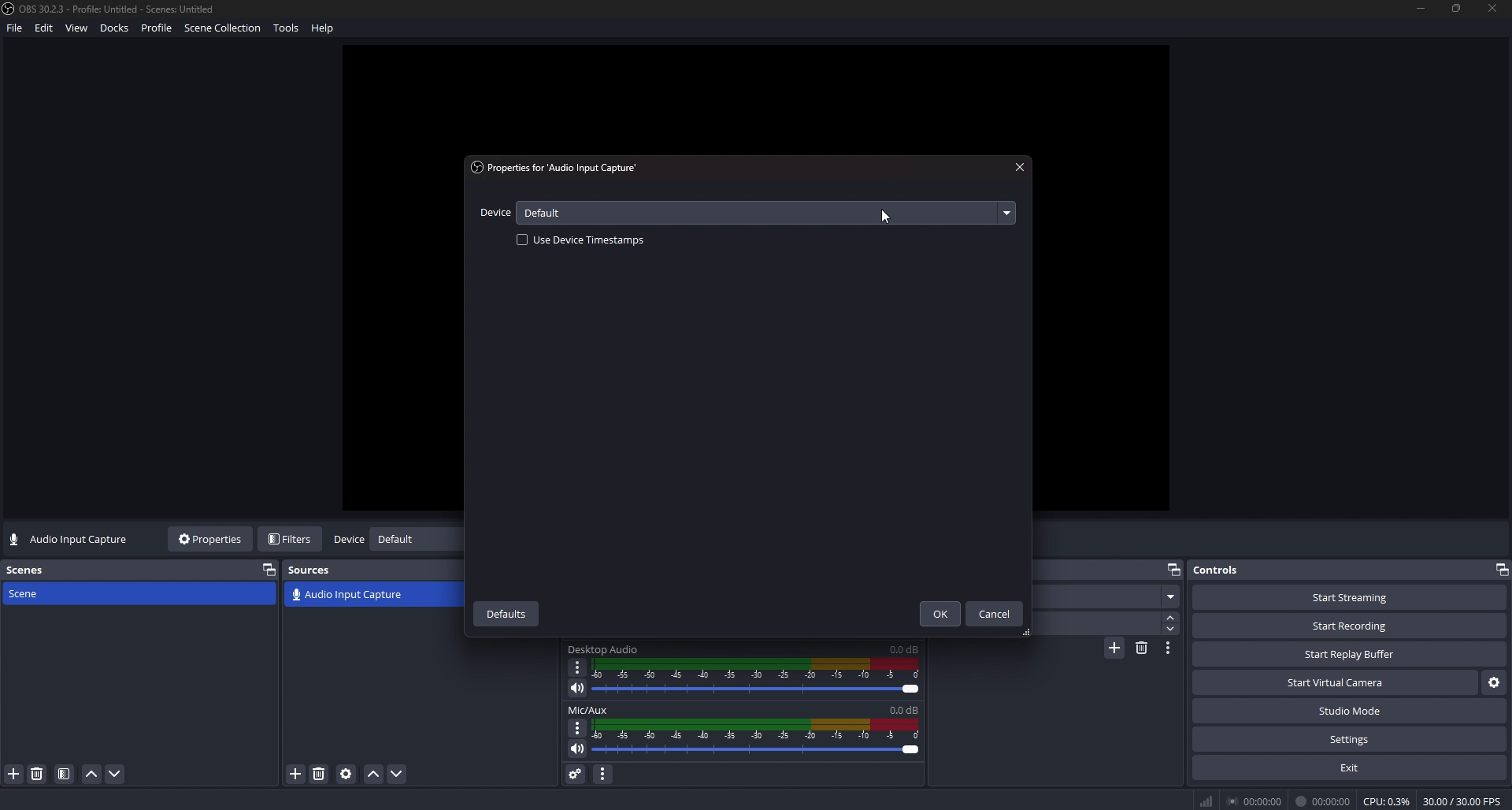 The width and height of the screenshot is (1512, 810). What do you see at coordinates (346, 774) in the screenshot?
I see `source properties` at bounding box center [346, 774].